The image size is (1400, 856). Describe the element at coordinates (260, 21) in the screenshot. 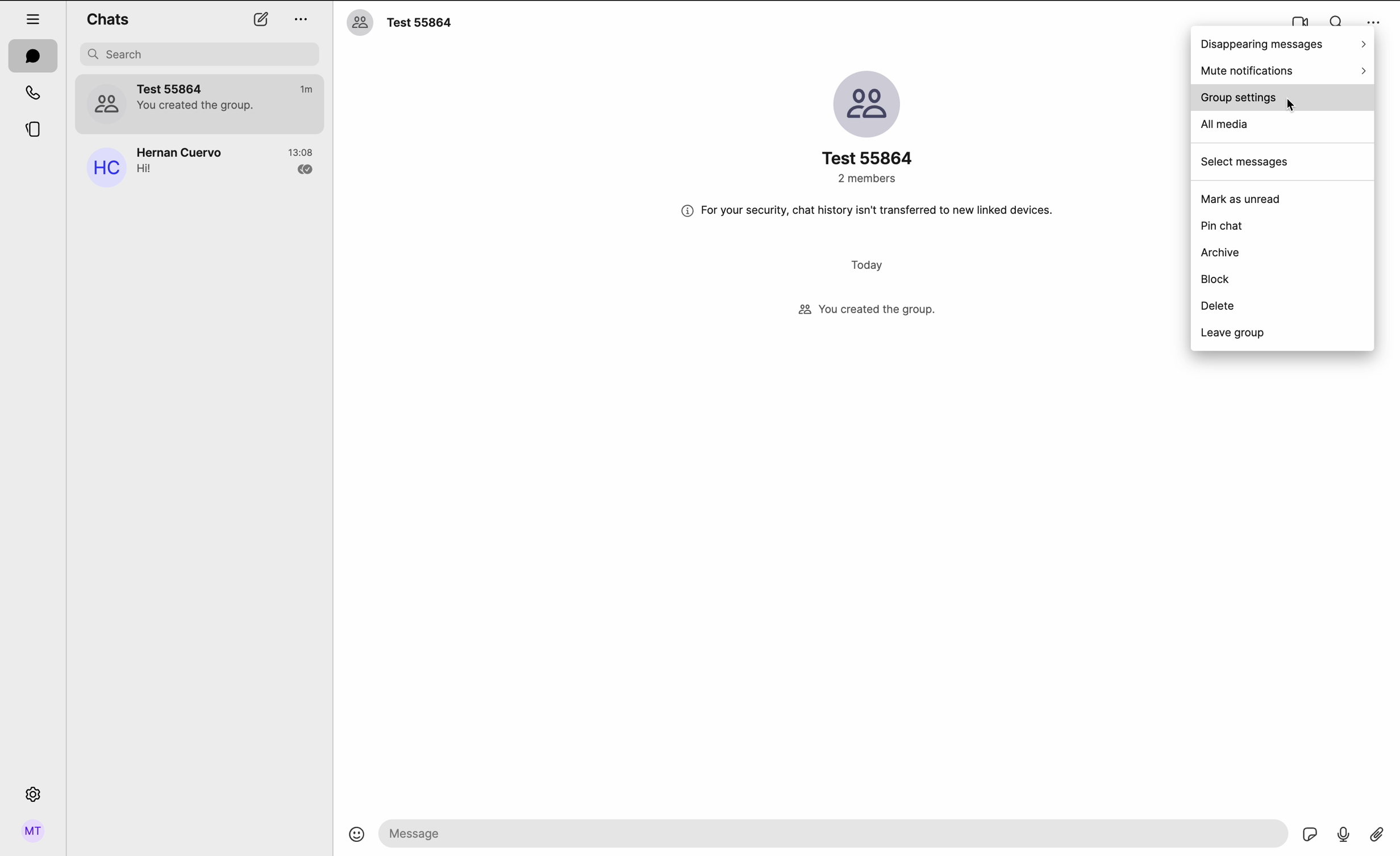

I see `new chat` at that location.